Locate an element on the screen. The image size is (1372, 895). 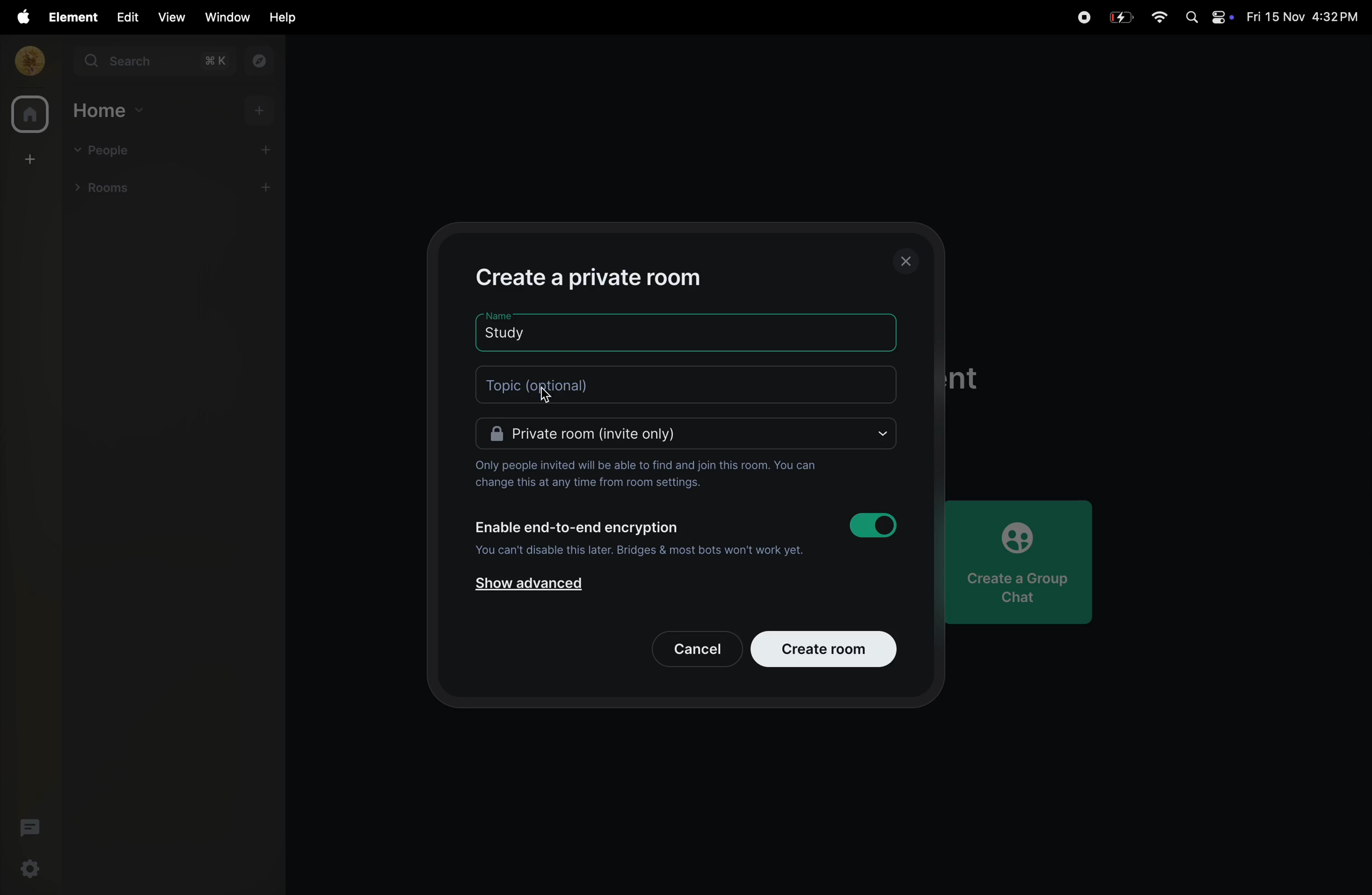
create room is located at coordinates (825, 648).